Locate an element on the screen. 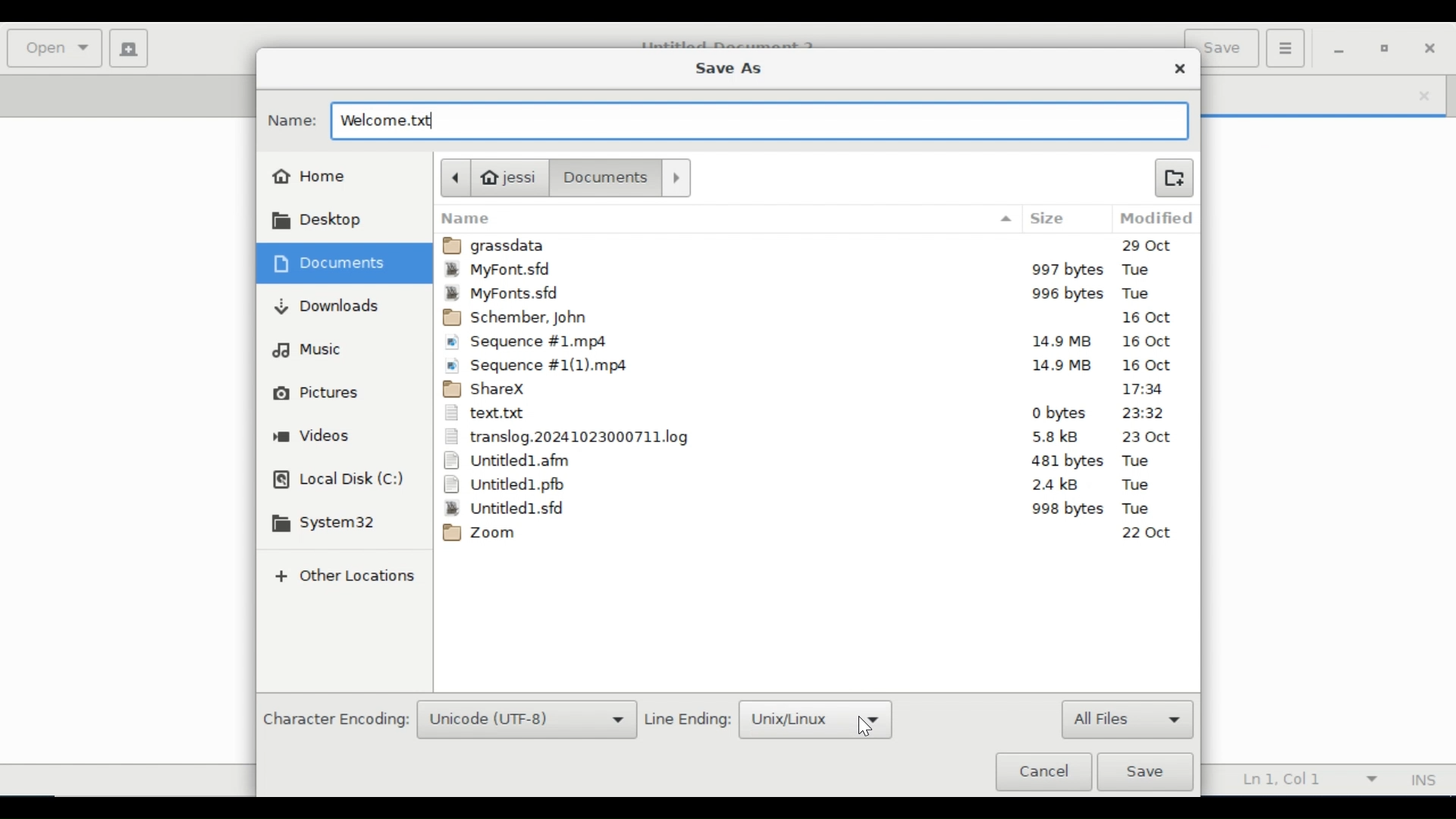  Local Disk(C) is located at coordinates (337, 481).